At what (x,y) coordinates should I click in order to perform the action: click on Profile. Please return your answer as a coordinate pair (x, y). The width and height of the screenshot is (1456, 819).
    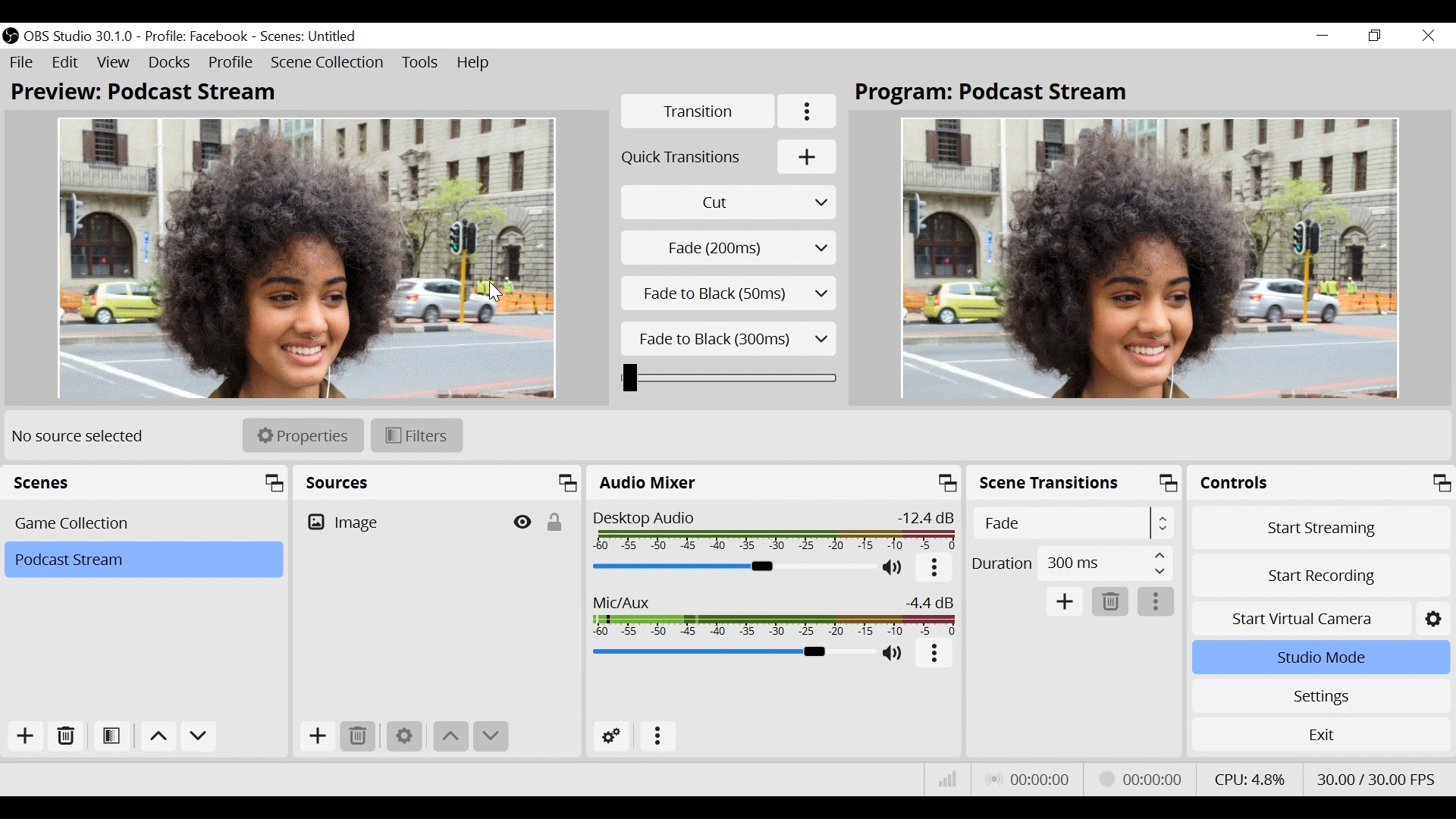
    Looking at the image, I should click on (199, 36).